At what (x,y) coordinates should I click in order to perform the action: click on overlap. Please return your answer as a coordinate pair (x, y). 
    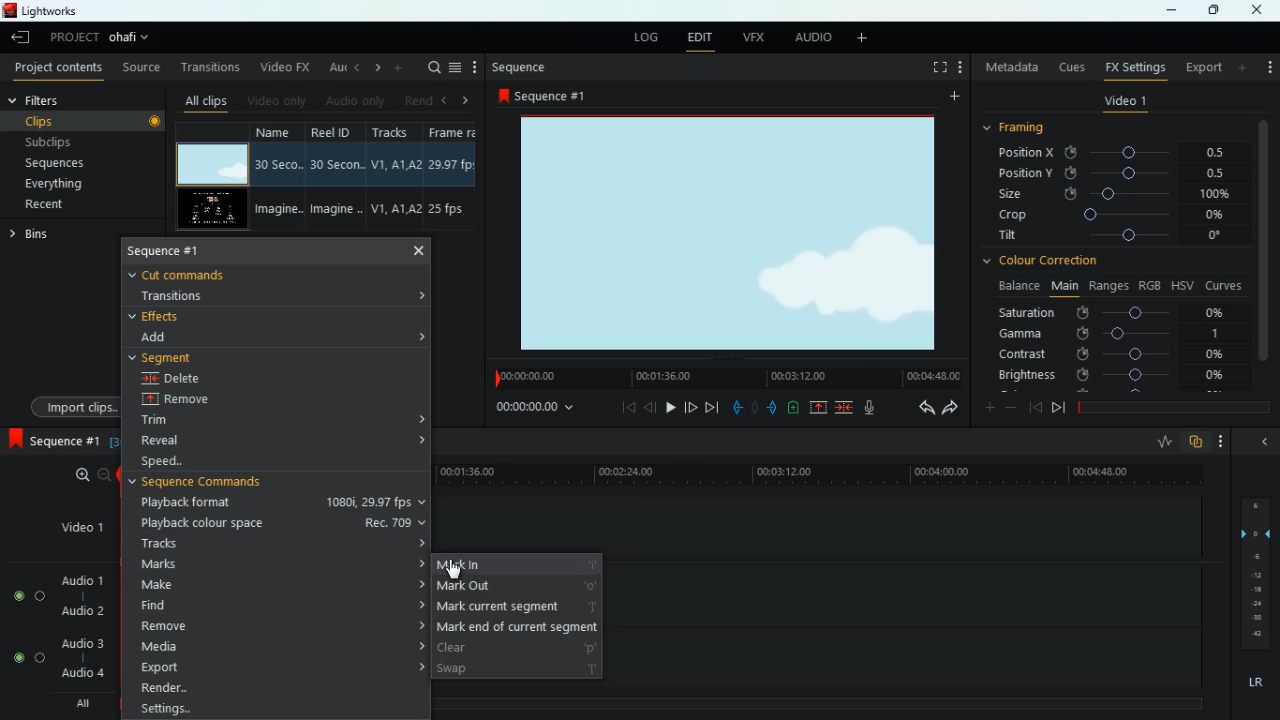
    Looking at the image, I should click on (1196, 443).